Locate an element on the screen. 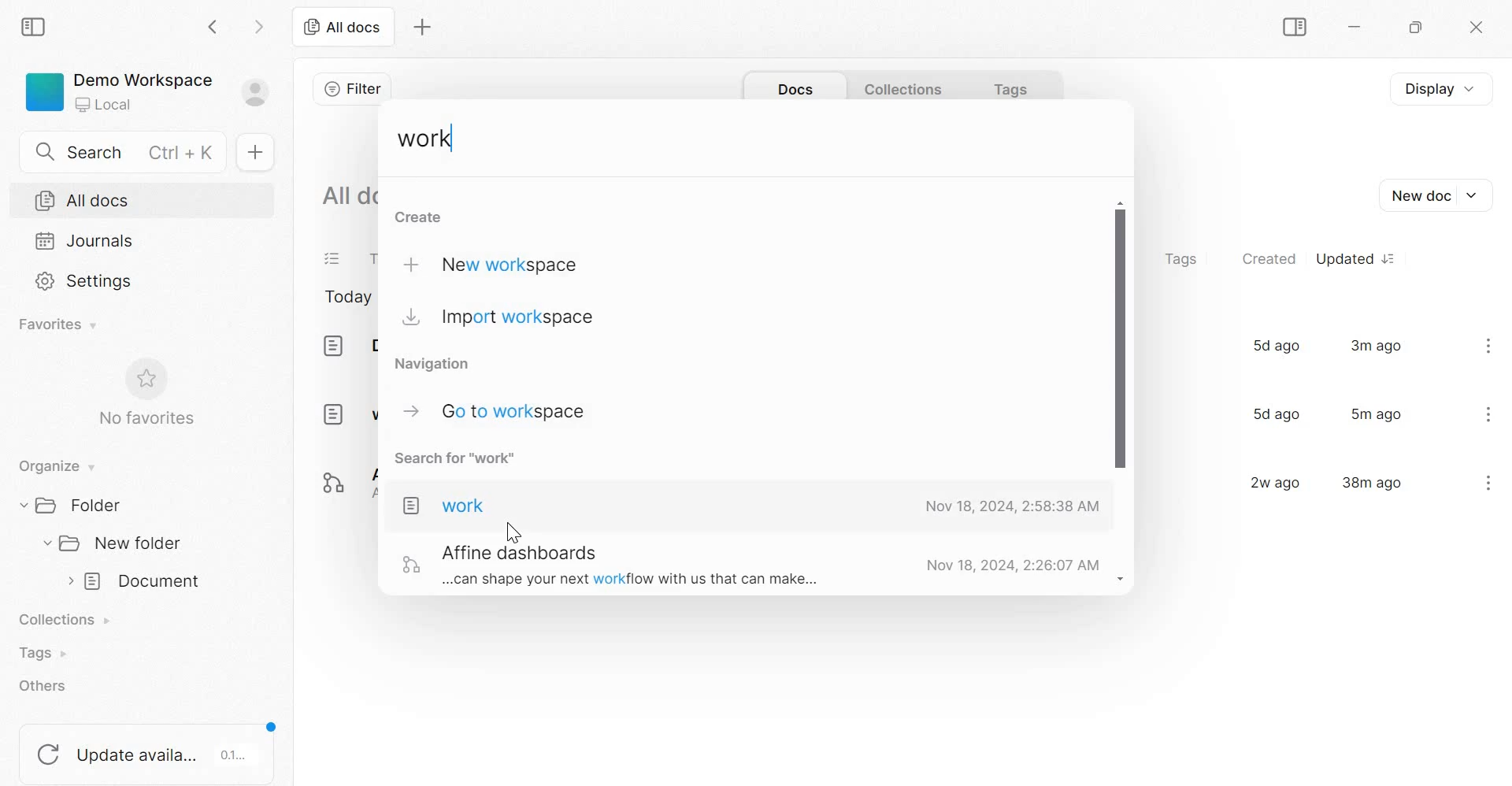 The width and height of the screenshot is (1512, 786). Folder is located at coordinates (79, 505).